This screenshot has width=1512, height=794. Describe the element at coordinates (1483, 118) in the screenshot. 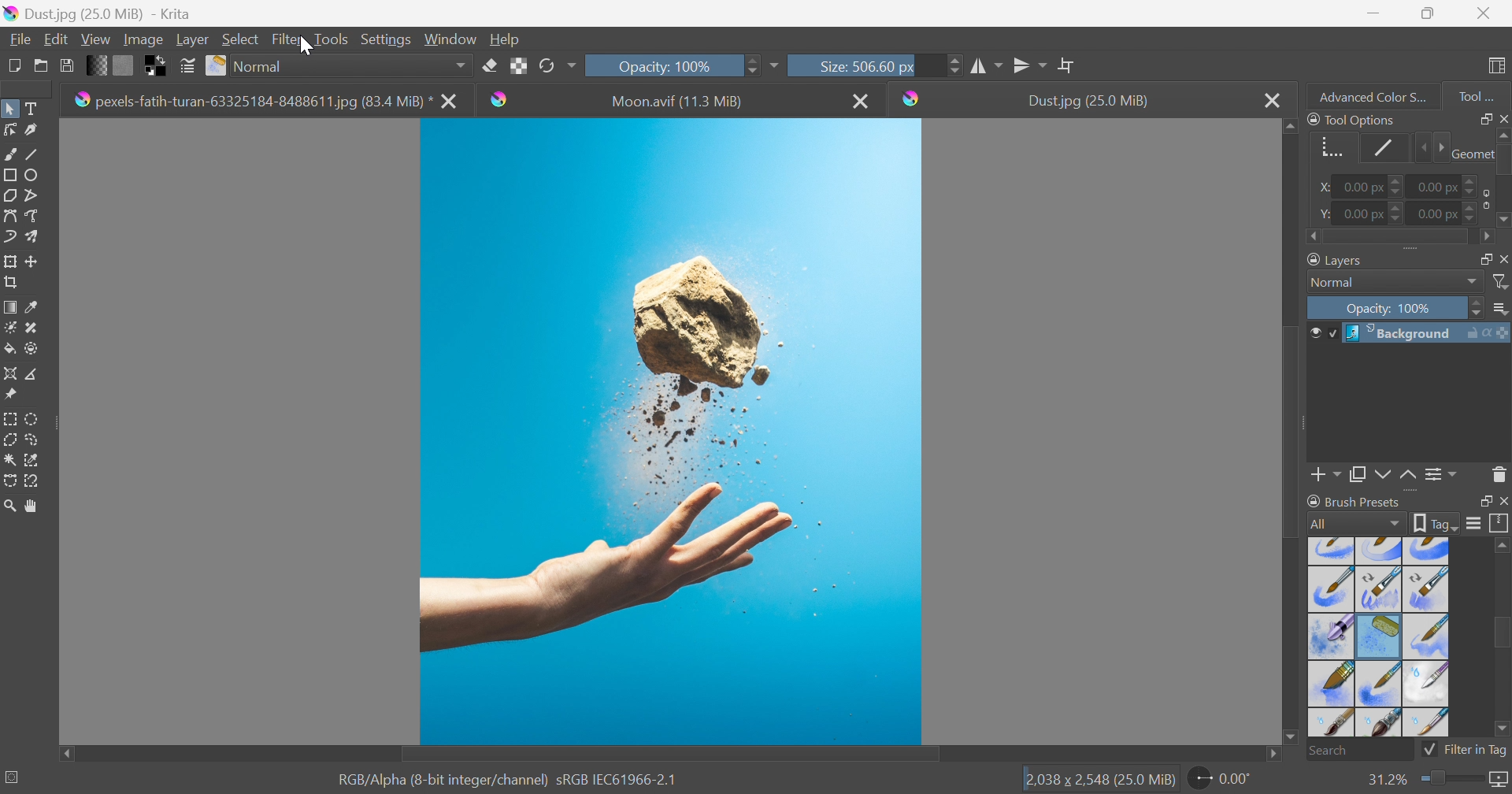

I see `Float Docker` at that location.